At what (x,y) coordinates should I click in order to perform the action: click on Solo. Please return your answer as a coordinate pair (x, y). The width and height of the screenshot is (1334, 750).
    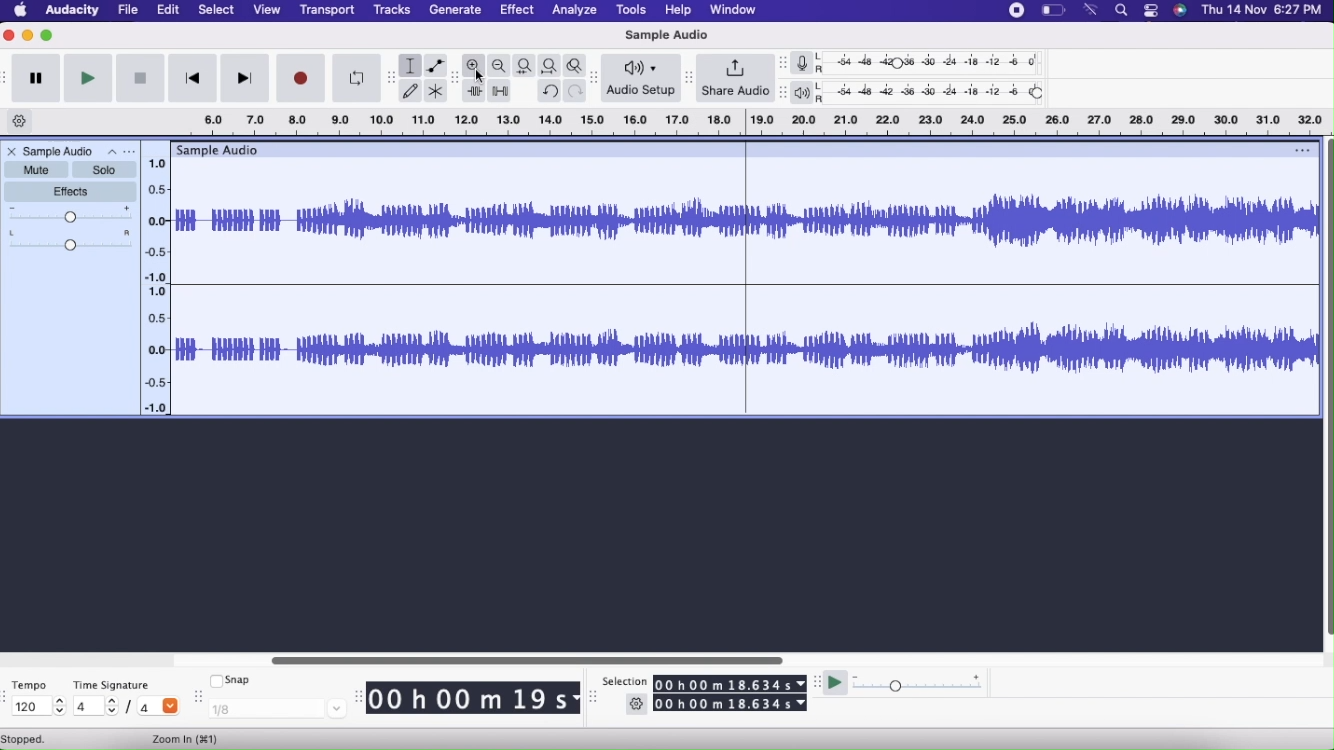
    Looking at the image, I should click on (105, 170).